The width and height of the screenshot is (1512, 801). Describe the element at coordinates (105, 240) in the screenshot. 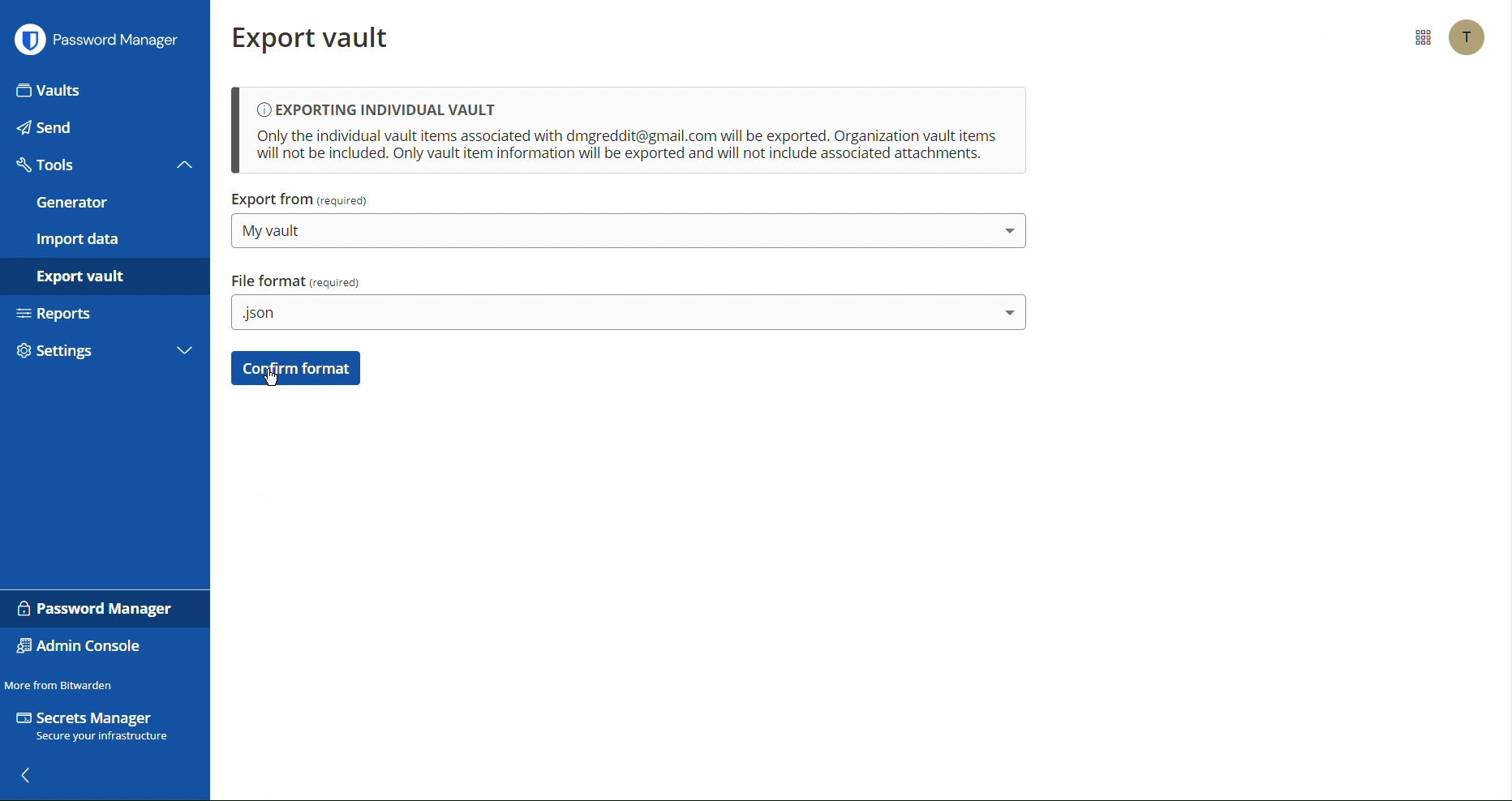

I see `Import data` at that location.